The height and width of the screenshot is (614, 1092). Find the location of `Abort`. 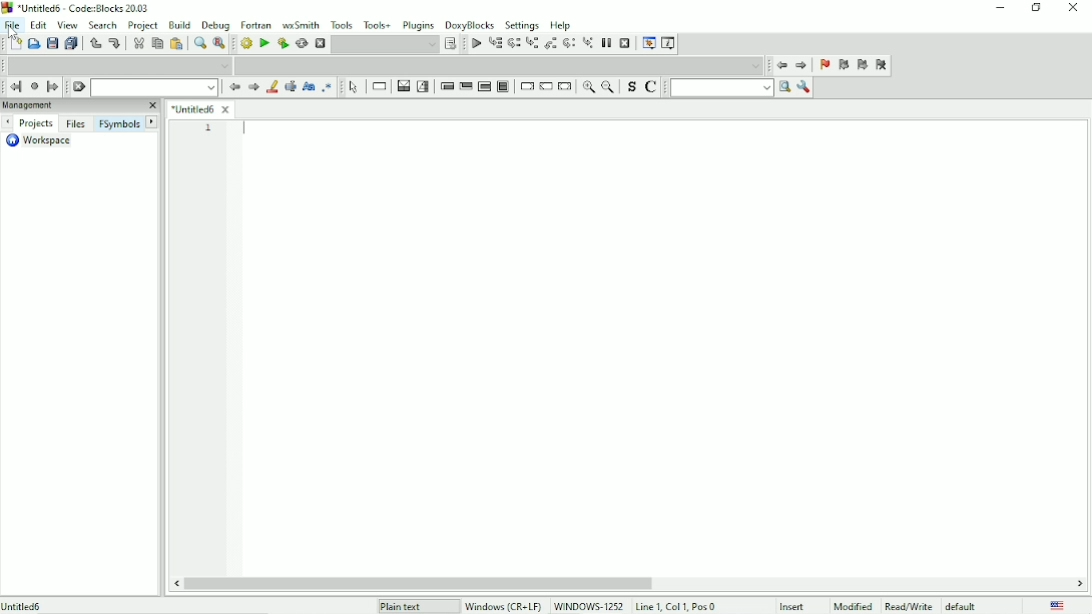

Abort is located at coordinates (319, 44).